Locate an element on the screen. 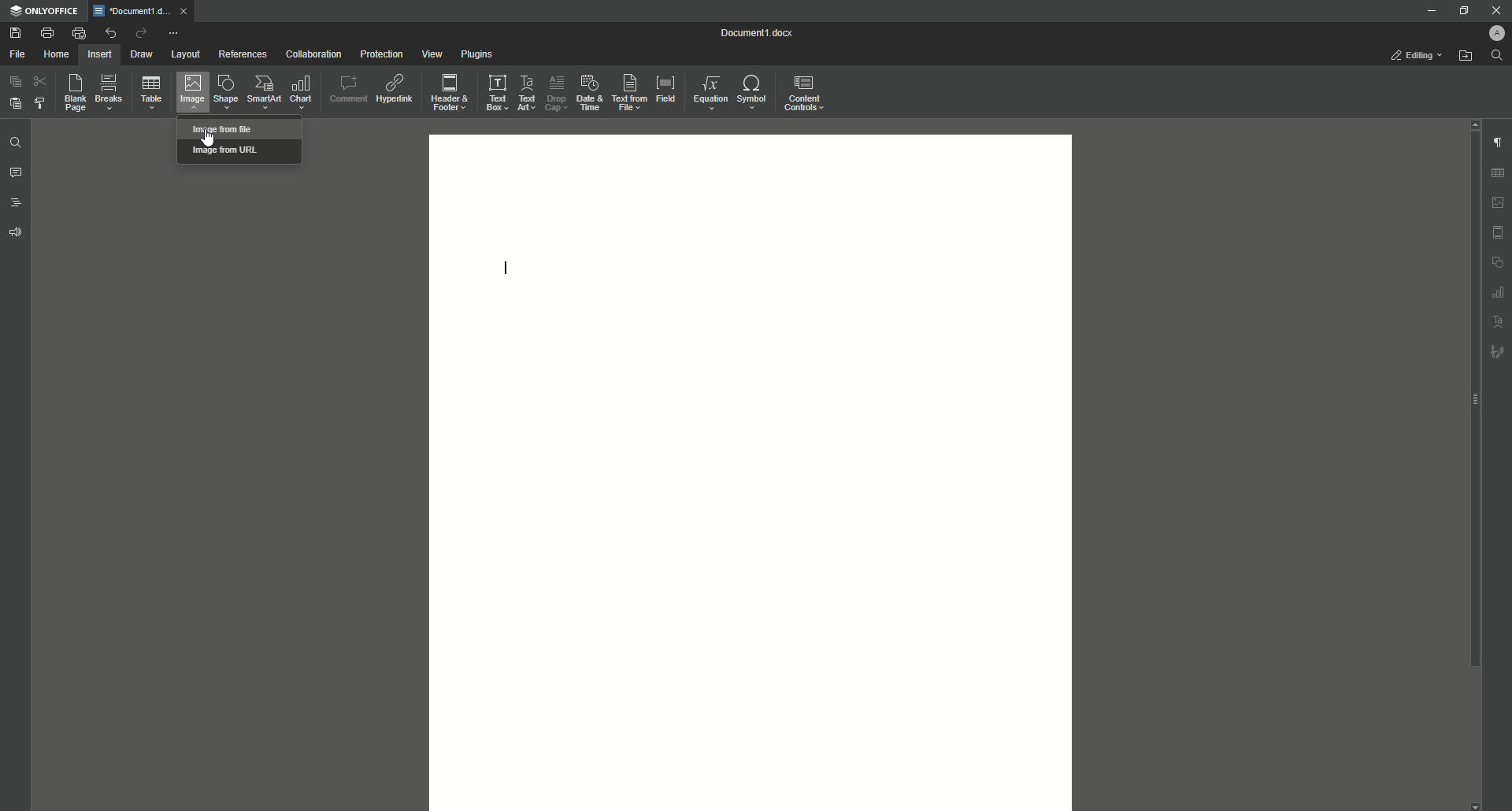 This screenshot has width=1512, height=811. Blank Page is located at coordinates (76, 94).